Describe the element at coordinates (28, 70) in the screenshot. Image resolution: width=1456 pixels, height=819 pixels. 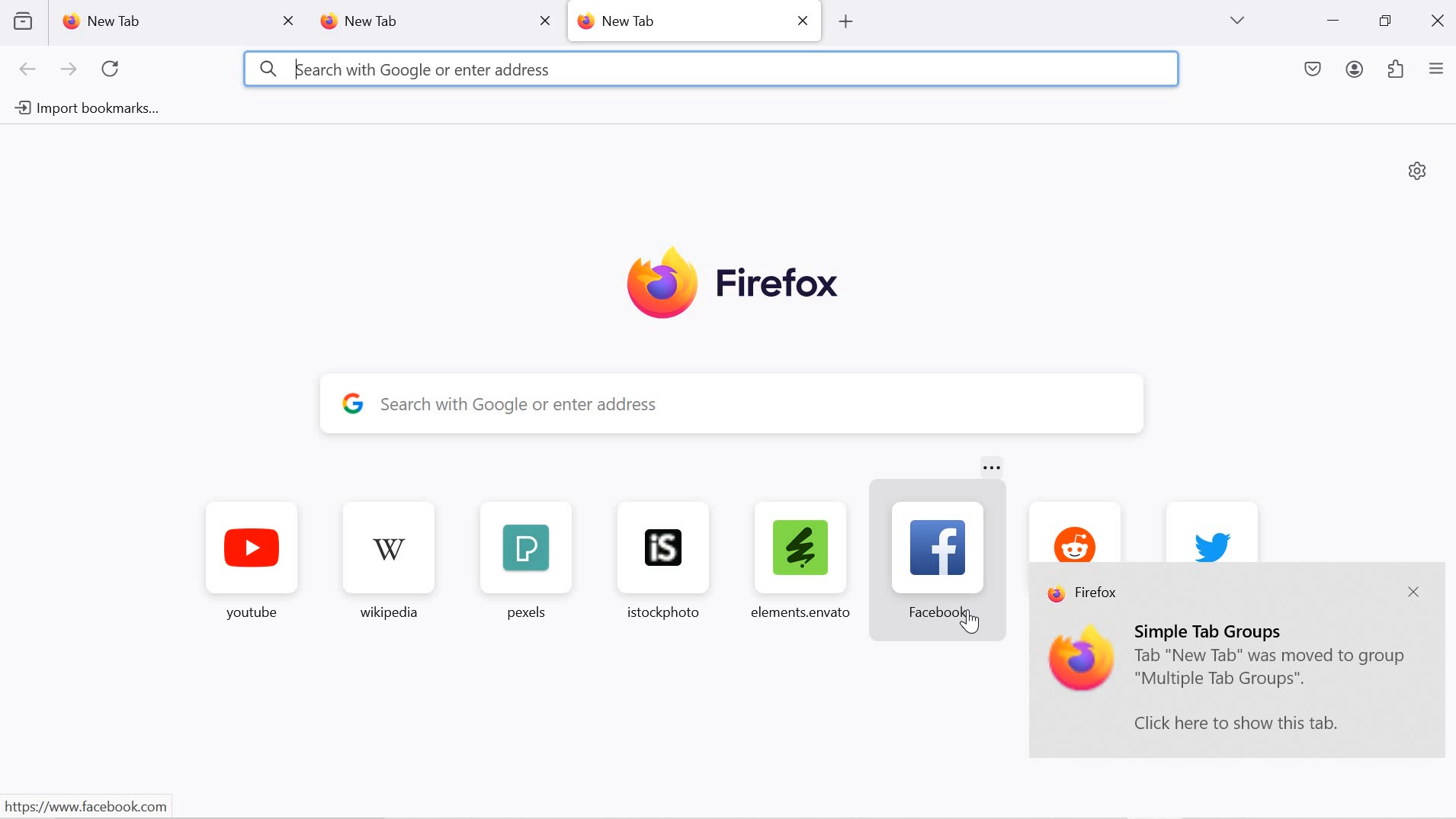
I see `go back` at that location.